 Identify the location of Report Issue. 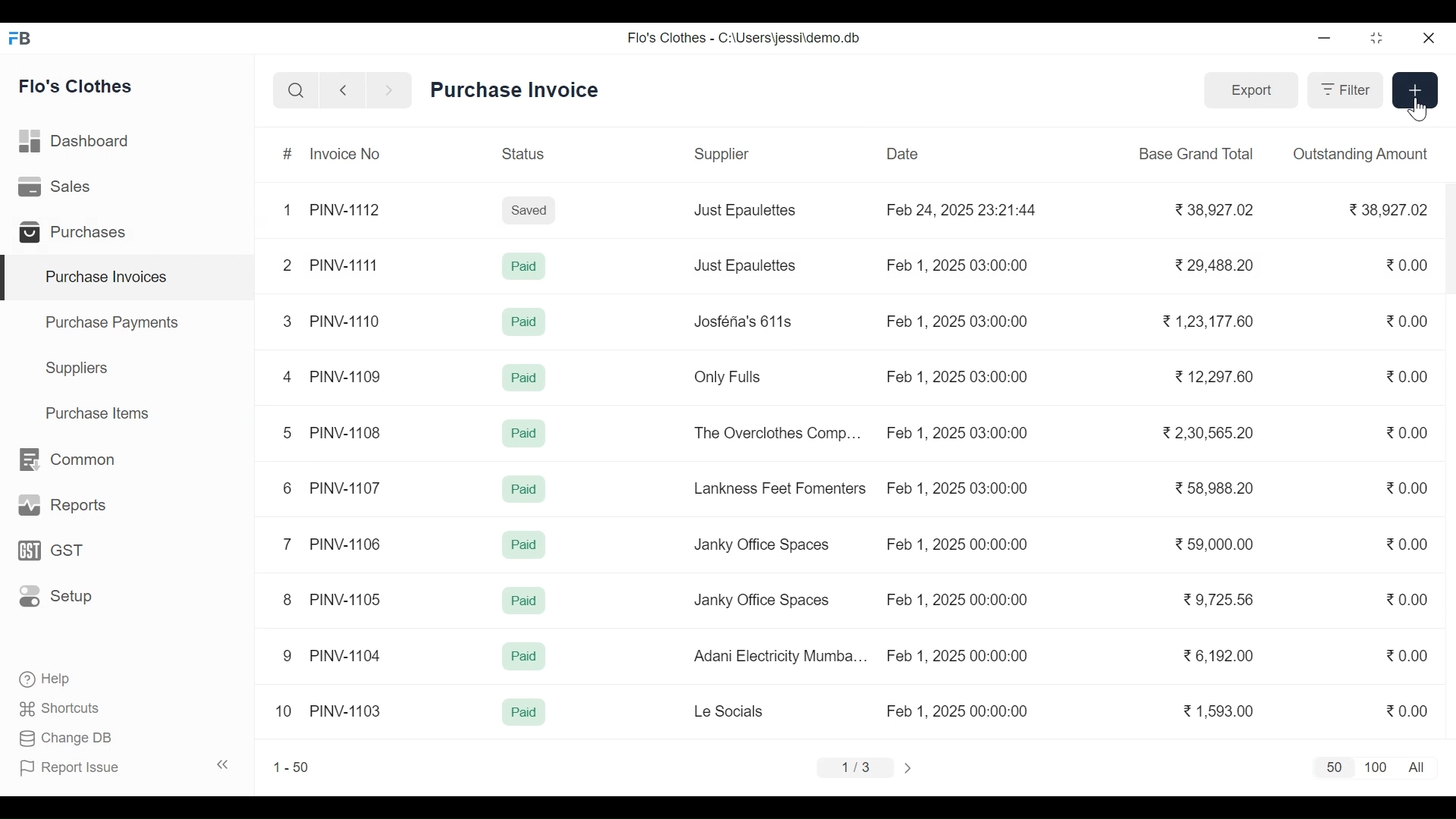
(126, 766).